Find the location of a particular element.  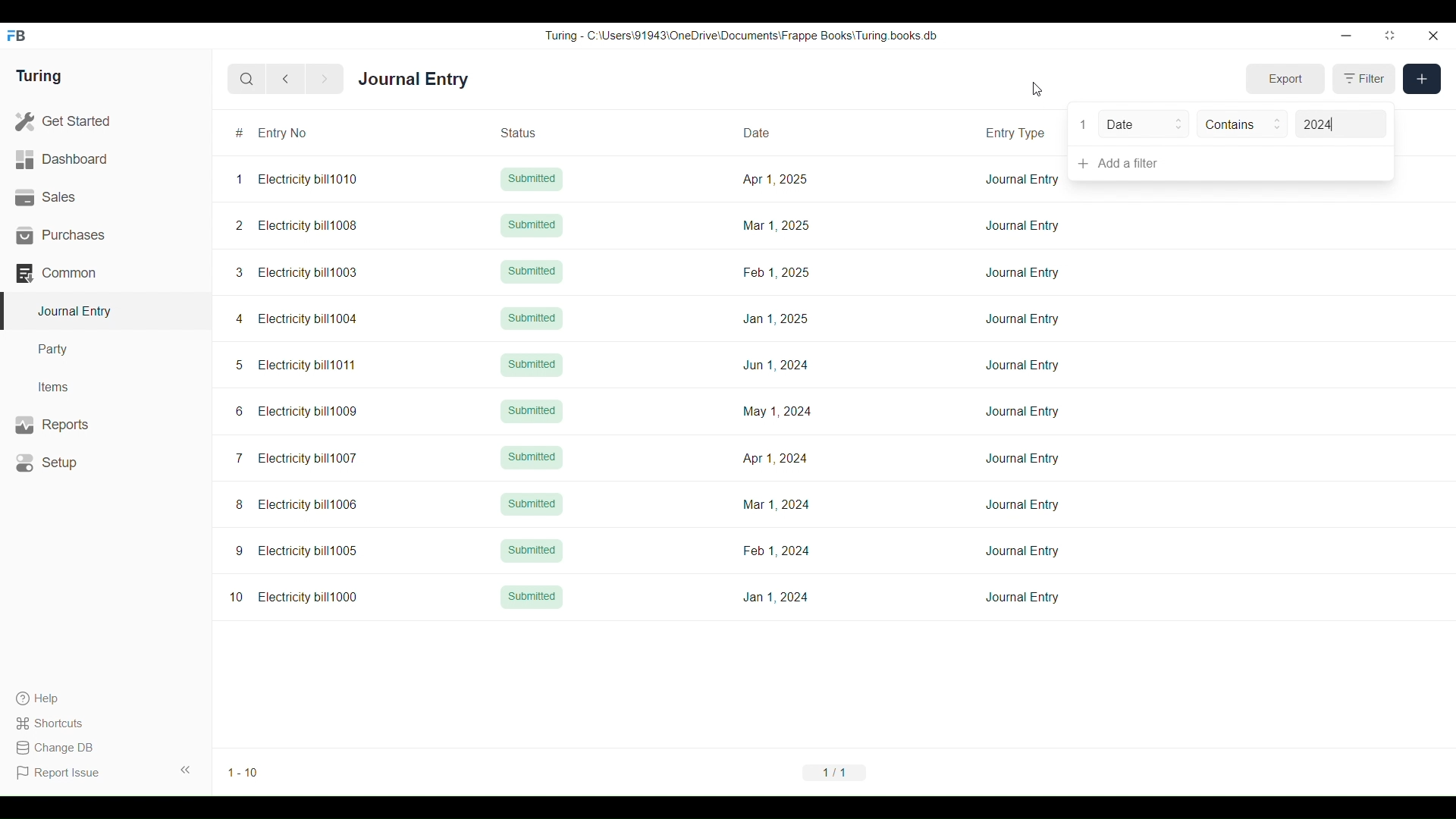

Purchases is located at coordinates (105, 235).